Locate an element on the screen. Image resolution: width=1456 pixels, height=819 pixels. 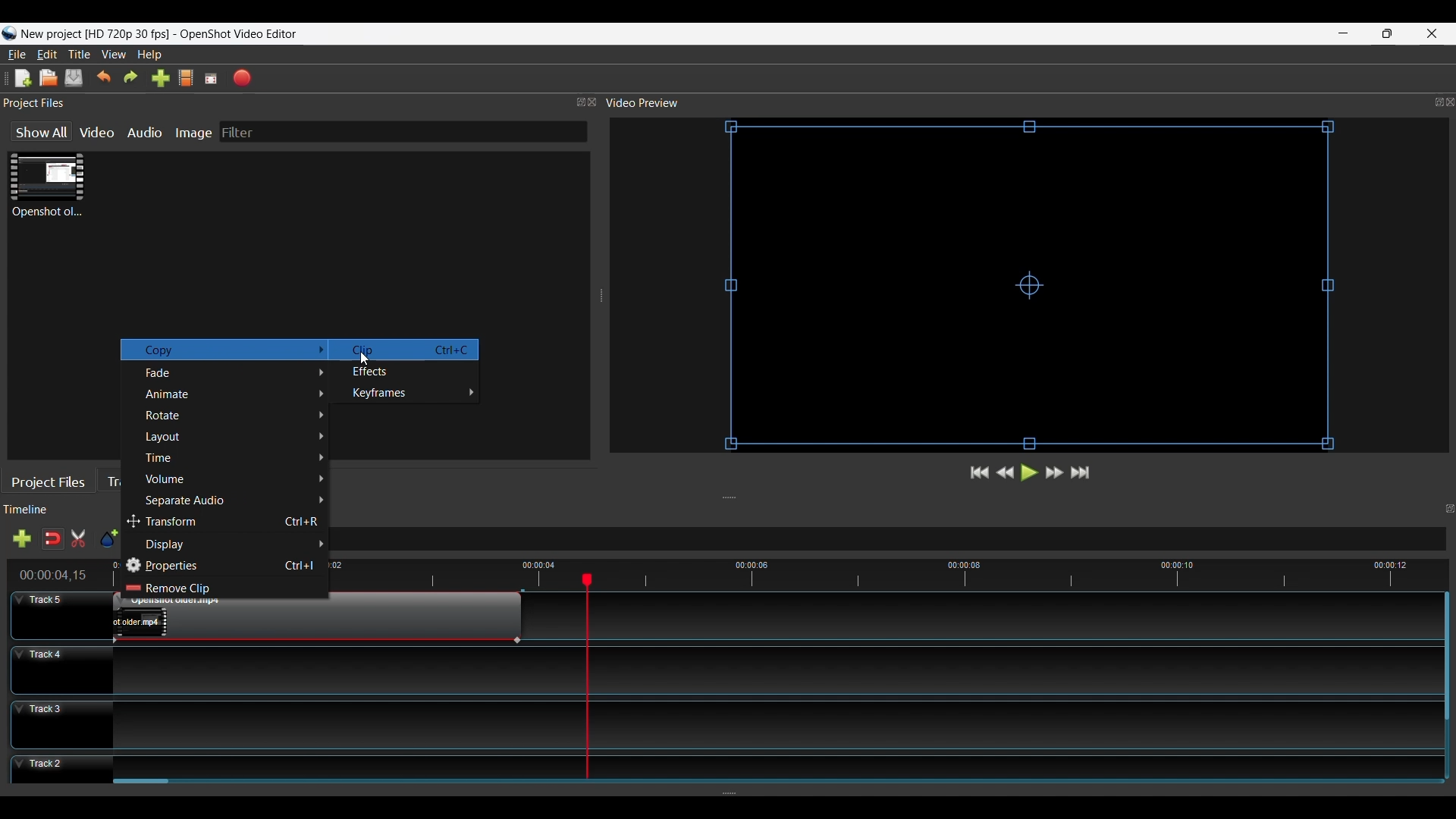
Redo is located at coordinates (131, 78).